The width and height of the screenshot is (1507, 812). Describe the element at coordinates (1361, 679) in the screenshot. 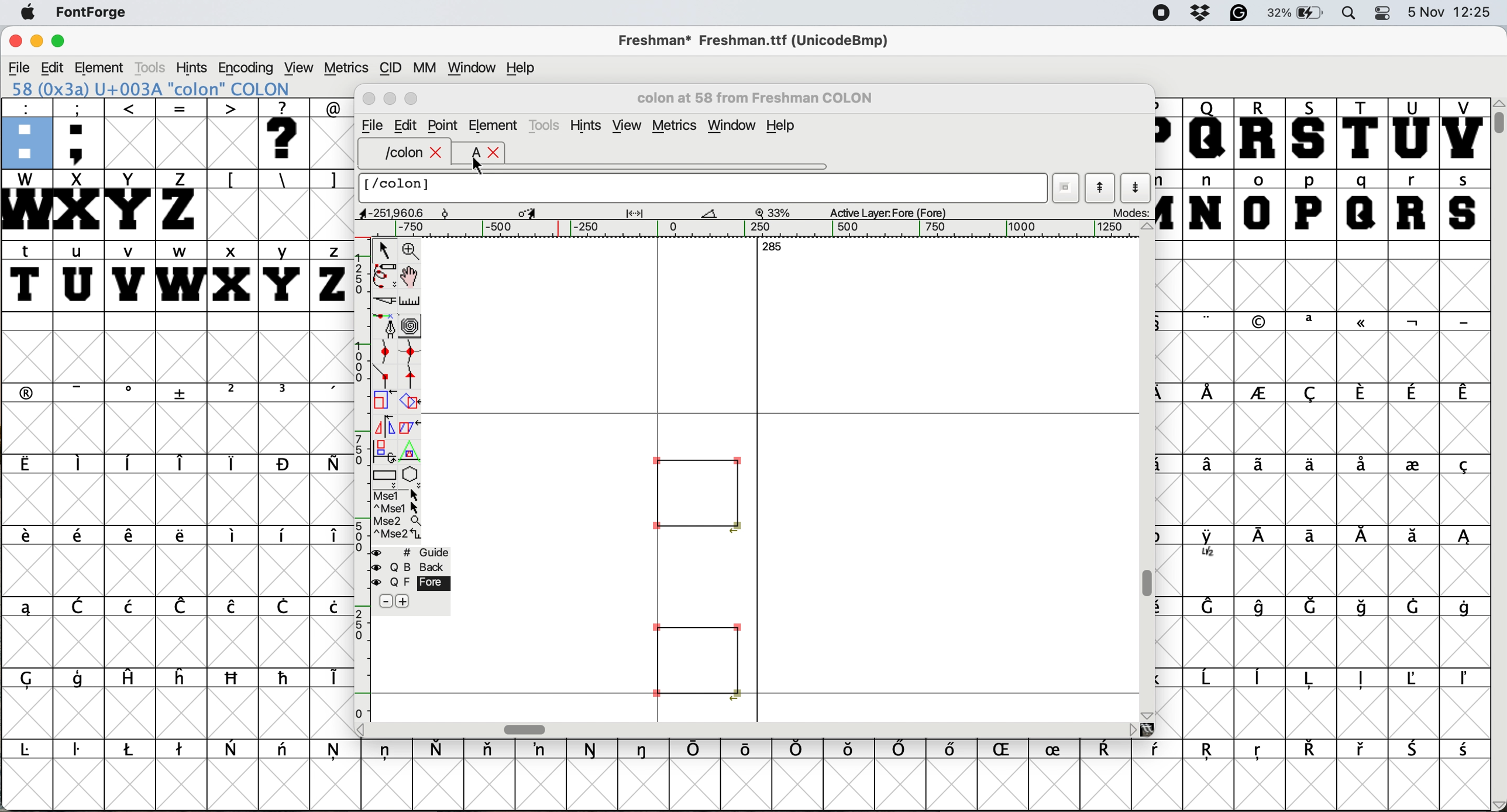

I see `symbol` at that location.